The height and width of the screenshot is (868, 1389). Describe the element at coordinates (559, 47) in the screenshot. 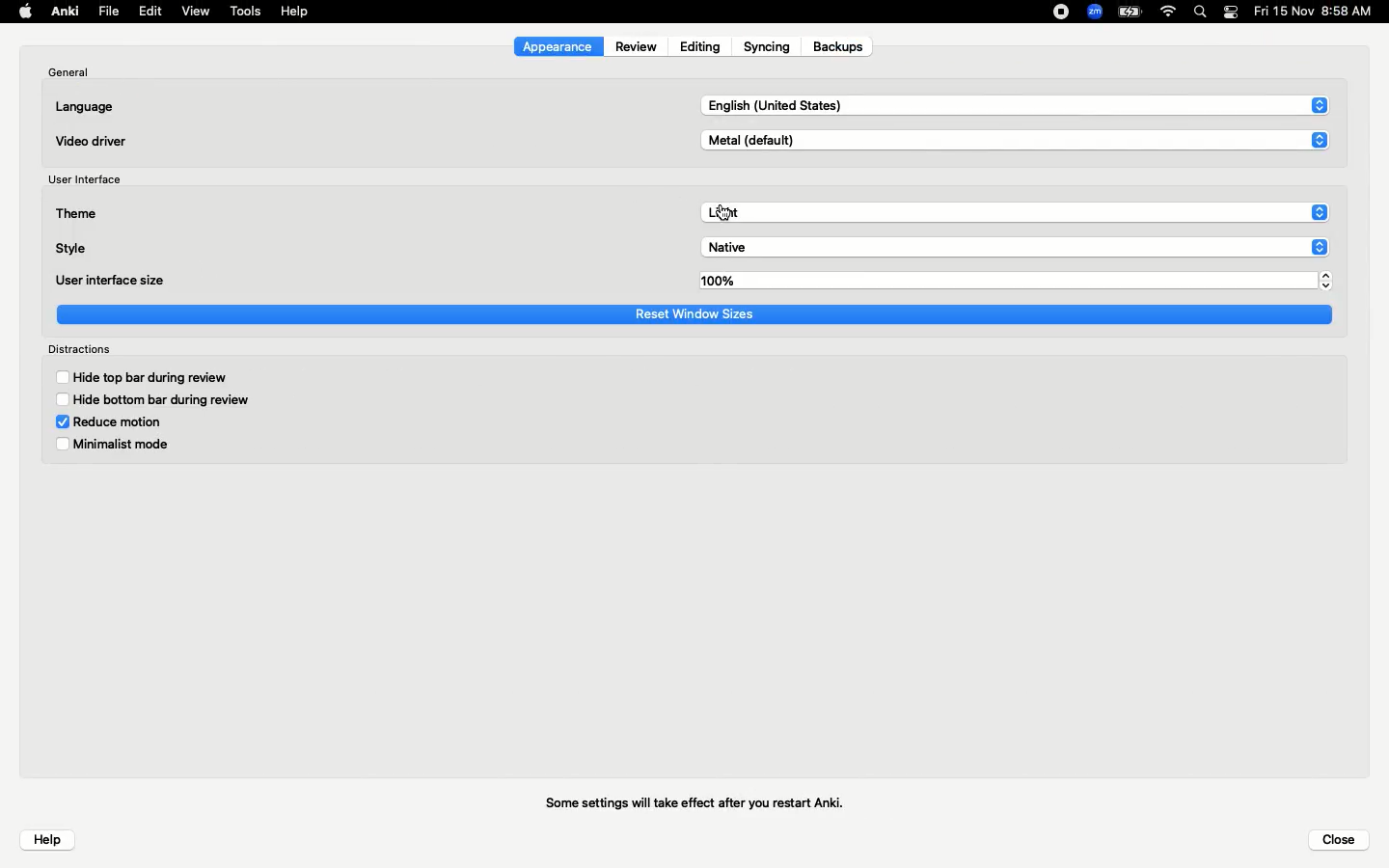

I see `Appearance` at that location.